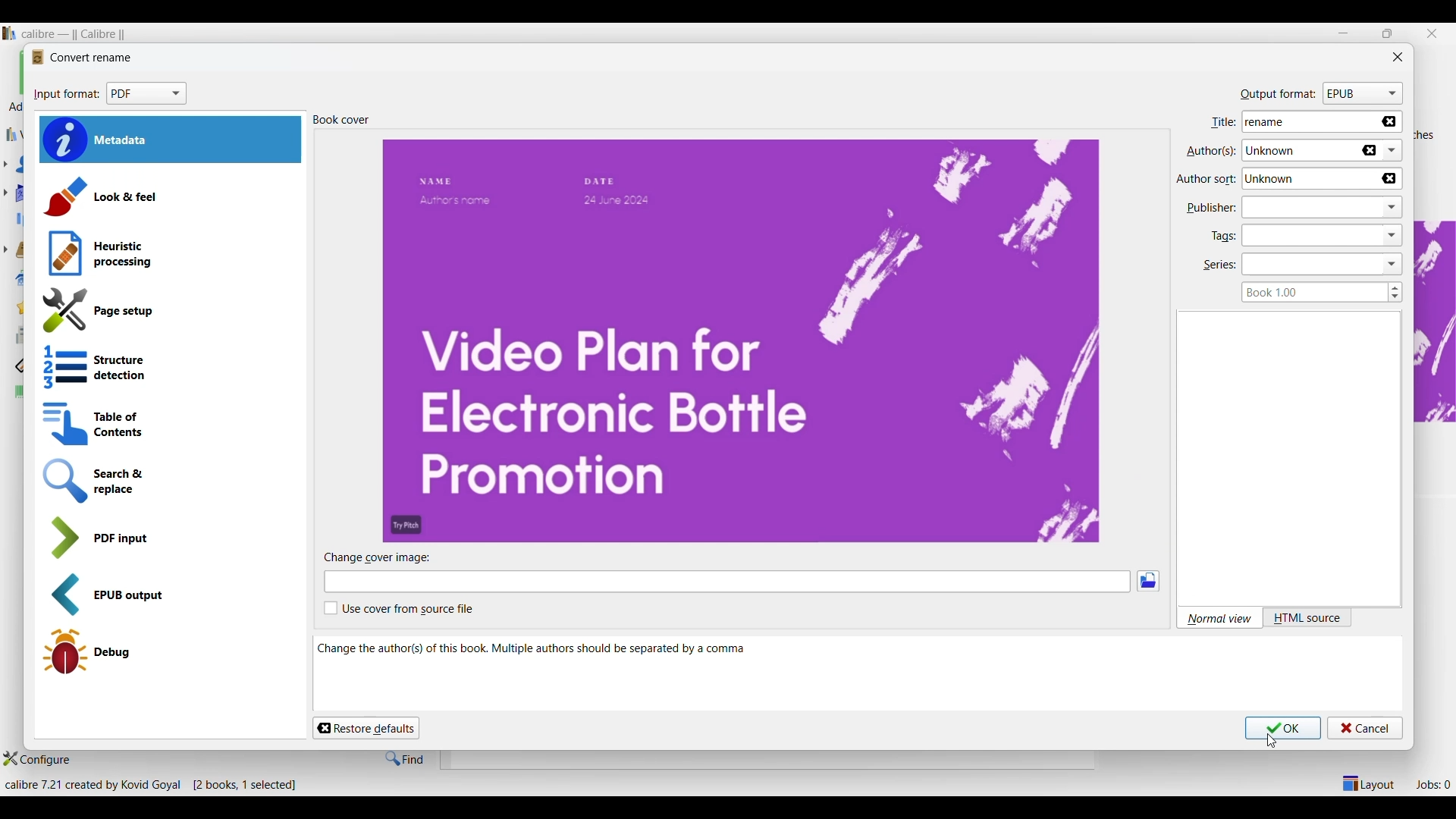 The width and height of the screenshot is (1456, 819). I want to click on EPUB output, so click(166, 595).